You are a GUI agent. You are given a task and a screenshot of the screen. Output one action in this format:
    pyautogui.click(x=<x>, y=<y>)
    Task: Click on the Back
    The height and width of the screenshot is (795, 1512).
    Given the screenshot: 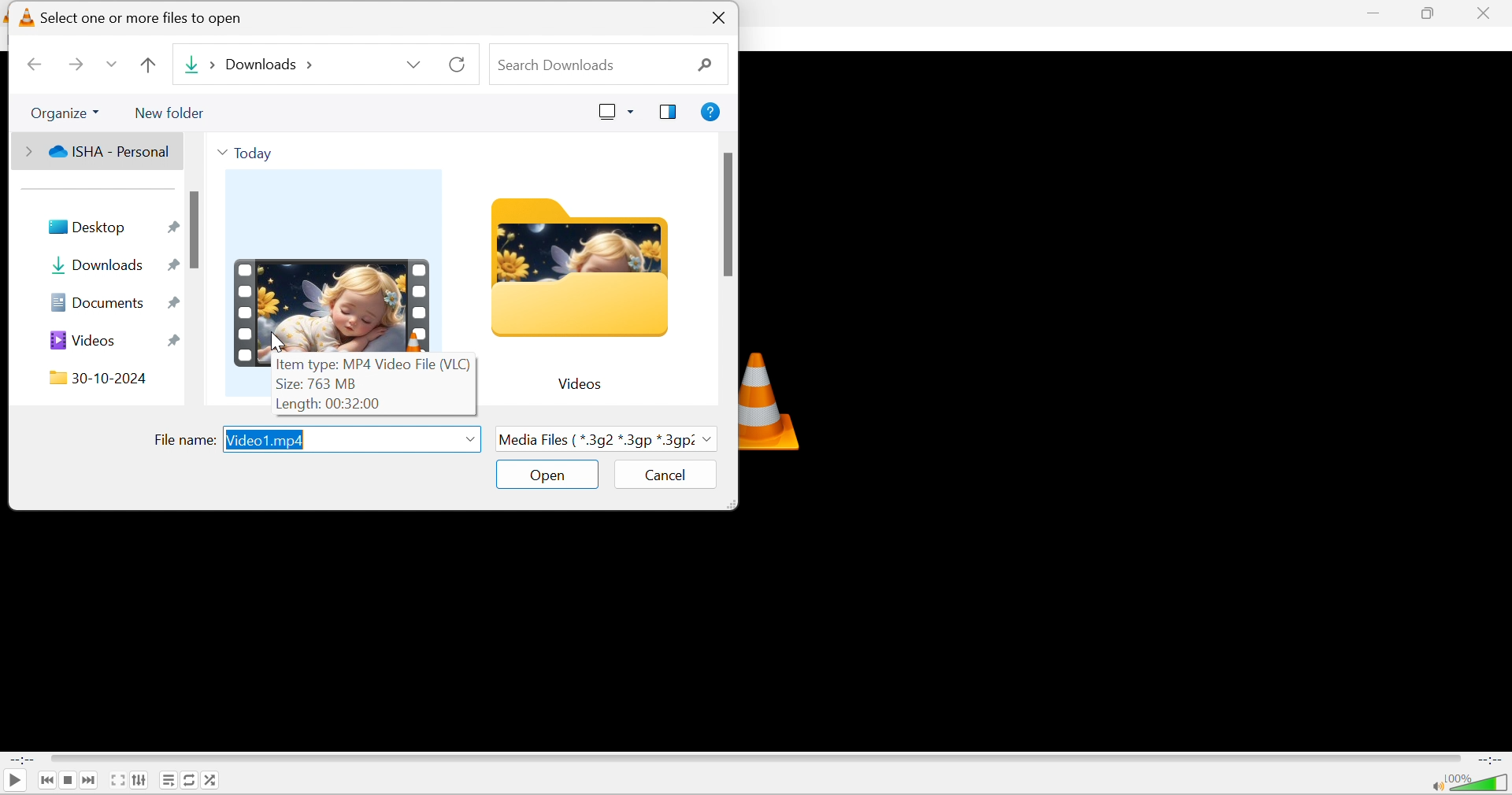 What is the action you would take?
    pyautogui.click(x=34, y=64)
    